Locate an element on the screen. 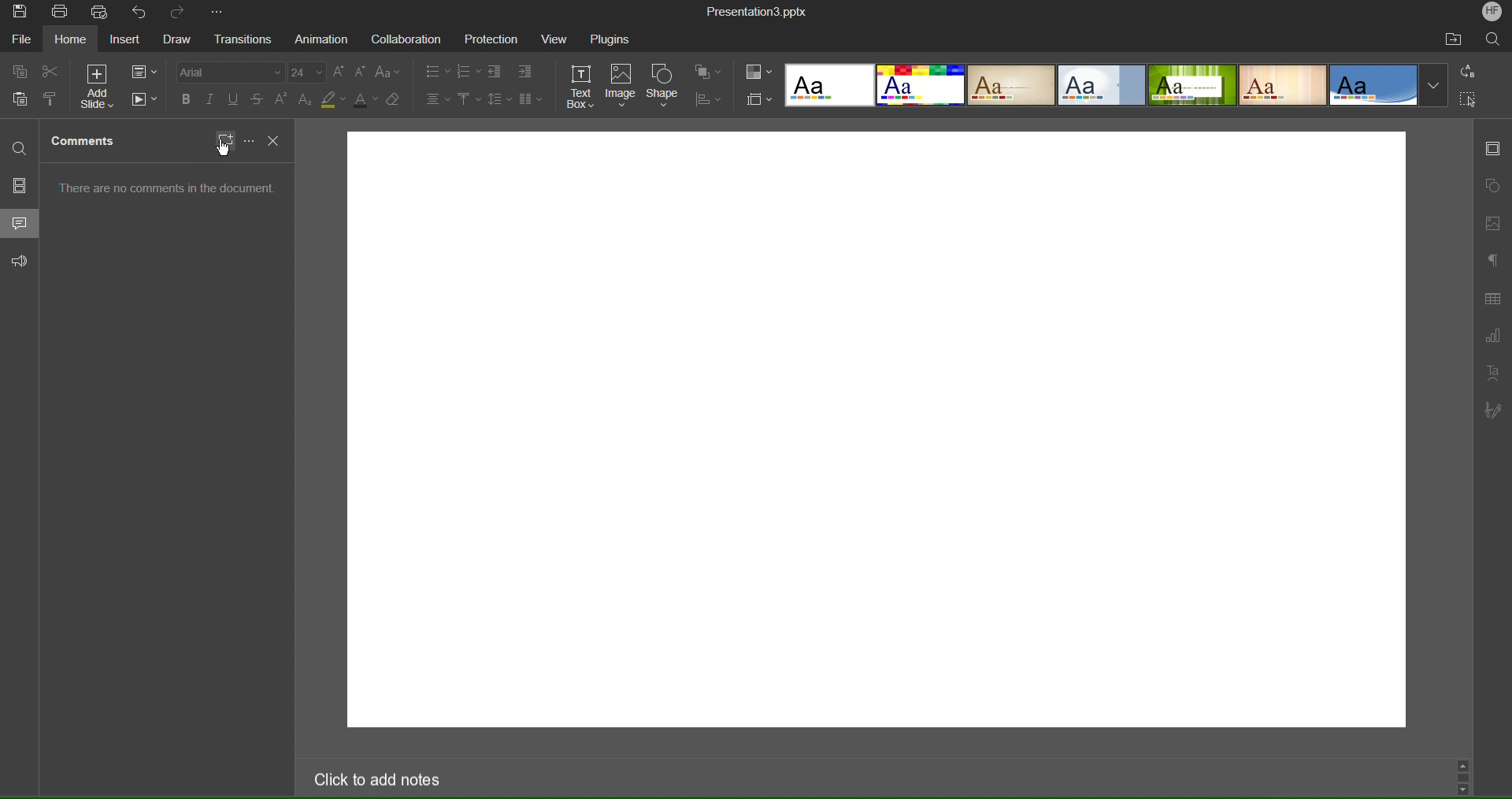  Quick Print is located at coordinates (101, 13).